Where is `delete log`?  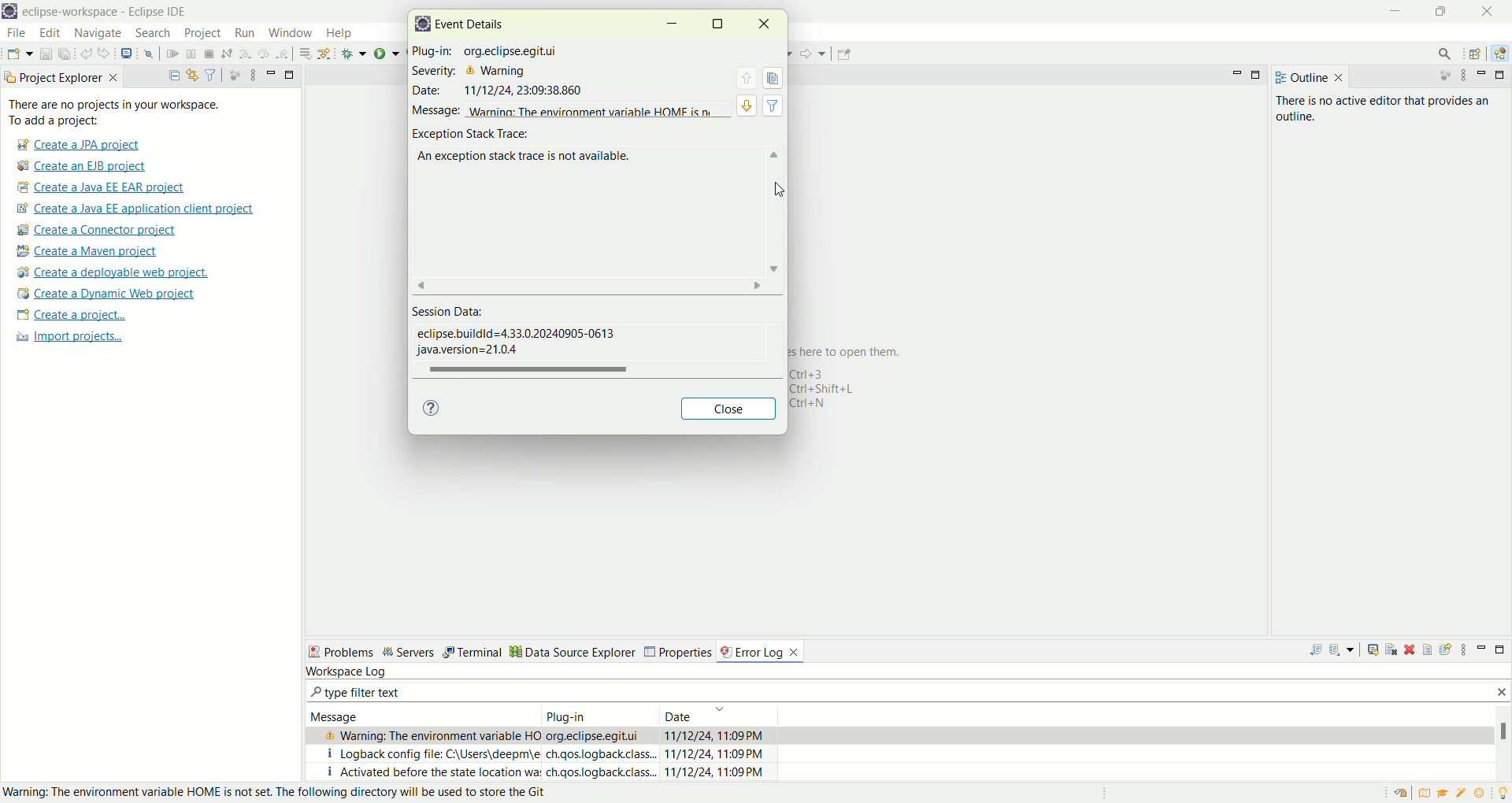 delete log is located at coordinates (1410, 650).